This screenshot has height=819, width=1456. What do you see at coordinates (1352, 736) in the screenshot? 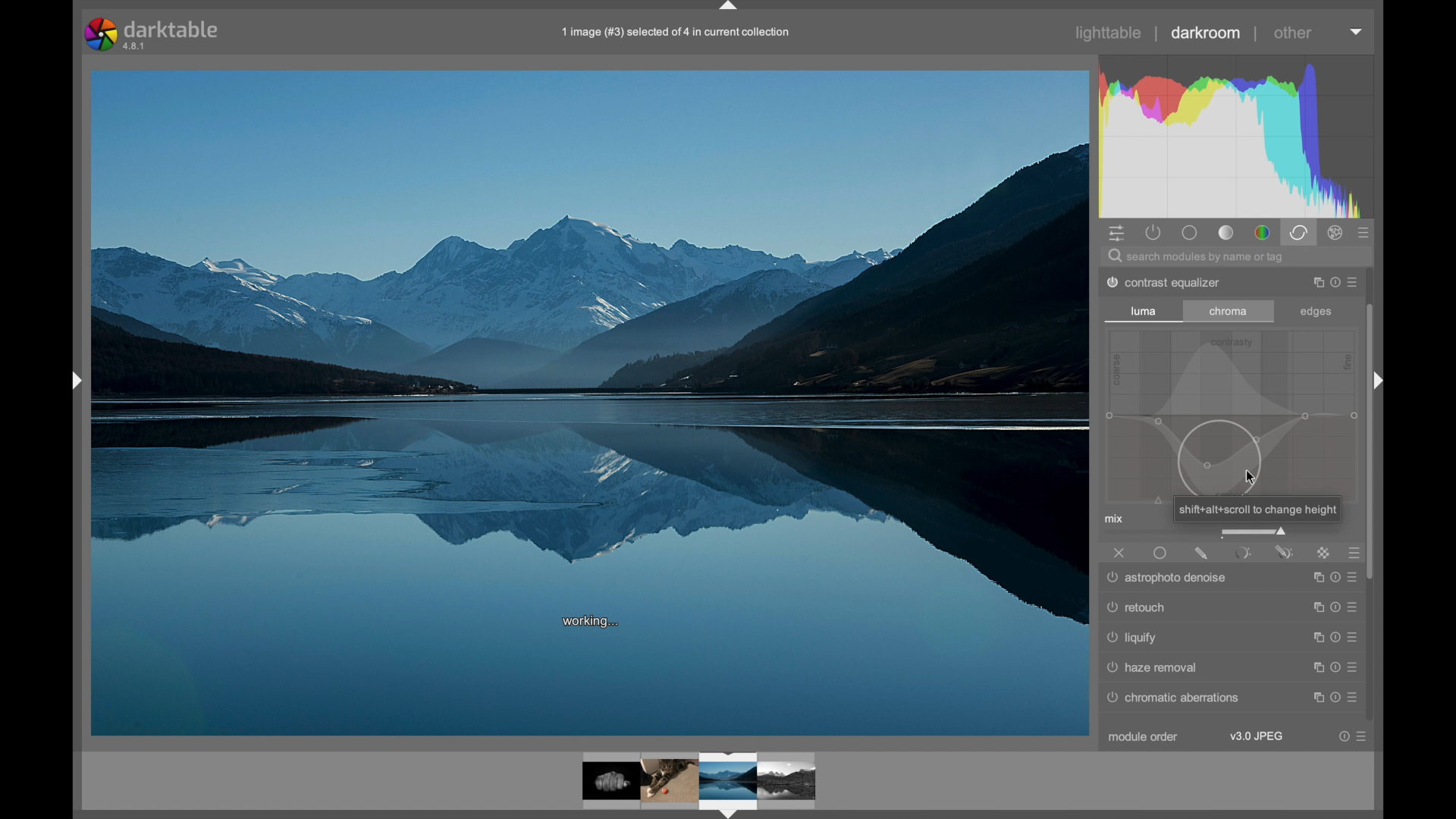
I see `more options` at bounding box center [1352, 736].